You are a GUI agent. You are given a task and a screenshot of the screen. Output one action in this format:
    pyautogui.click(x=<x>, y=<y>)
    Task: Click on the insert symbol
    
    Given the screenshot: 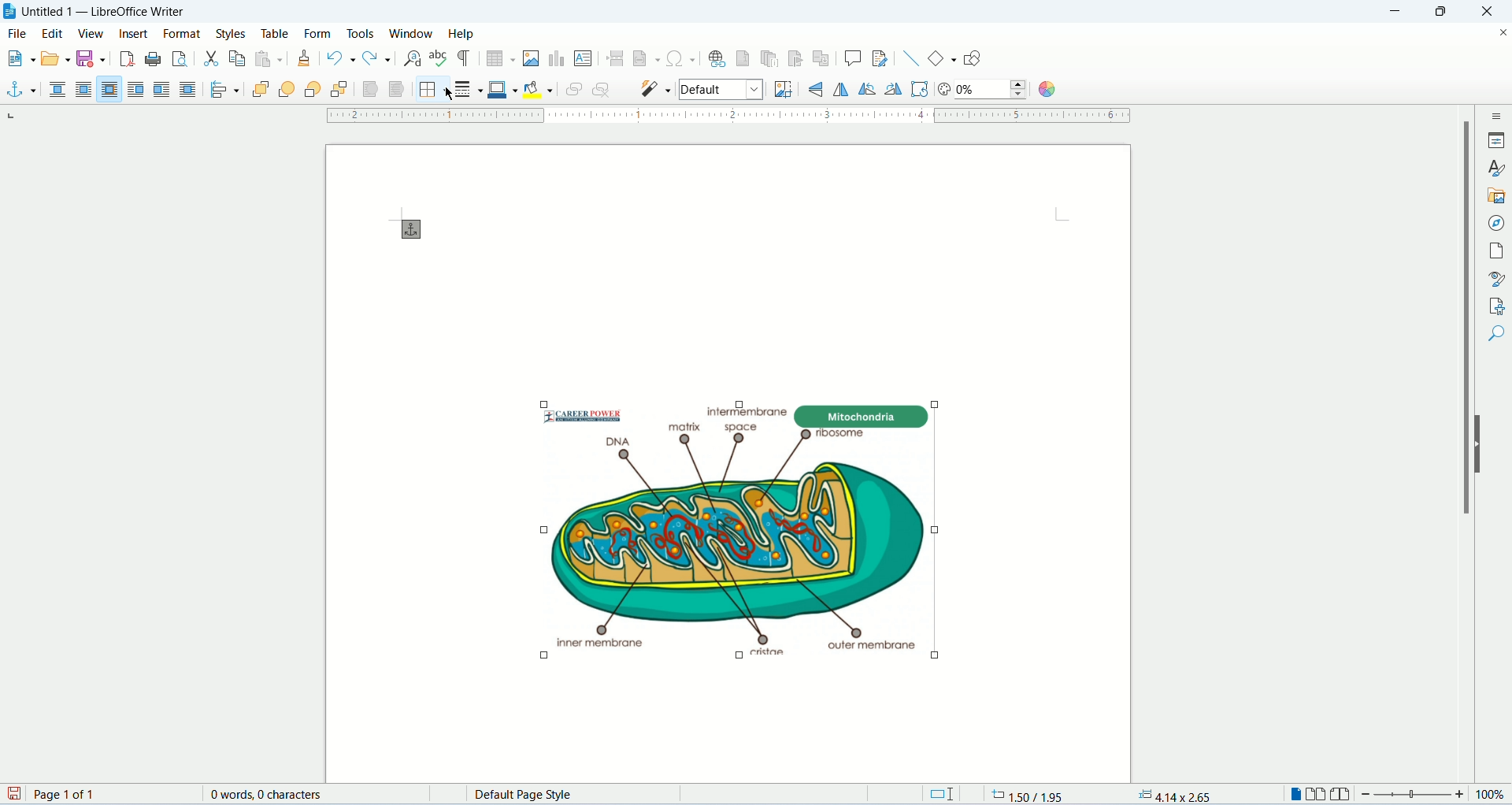 What is the action you would take?
    pyautogui.click(x=680, y=57)
    